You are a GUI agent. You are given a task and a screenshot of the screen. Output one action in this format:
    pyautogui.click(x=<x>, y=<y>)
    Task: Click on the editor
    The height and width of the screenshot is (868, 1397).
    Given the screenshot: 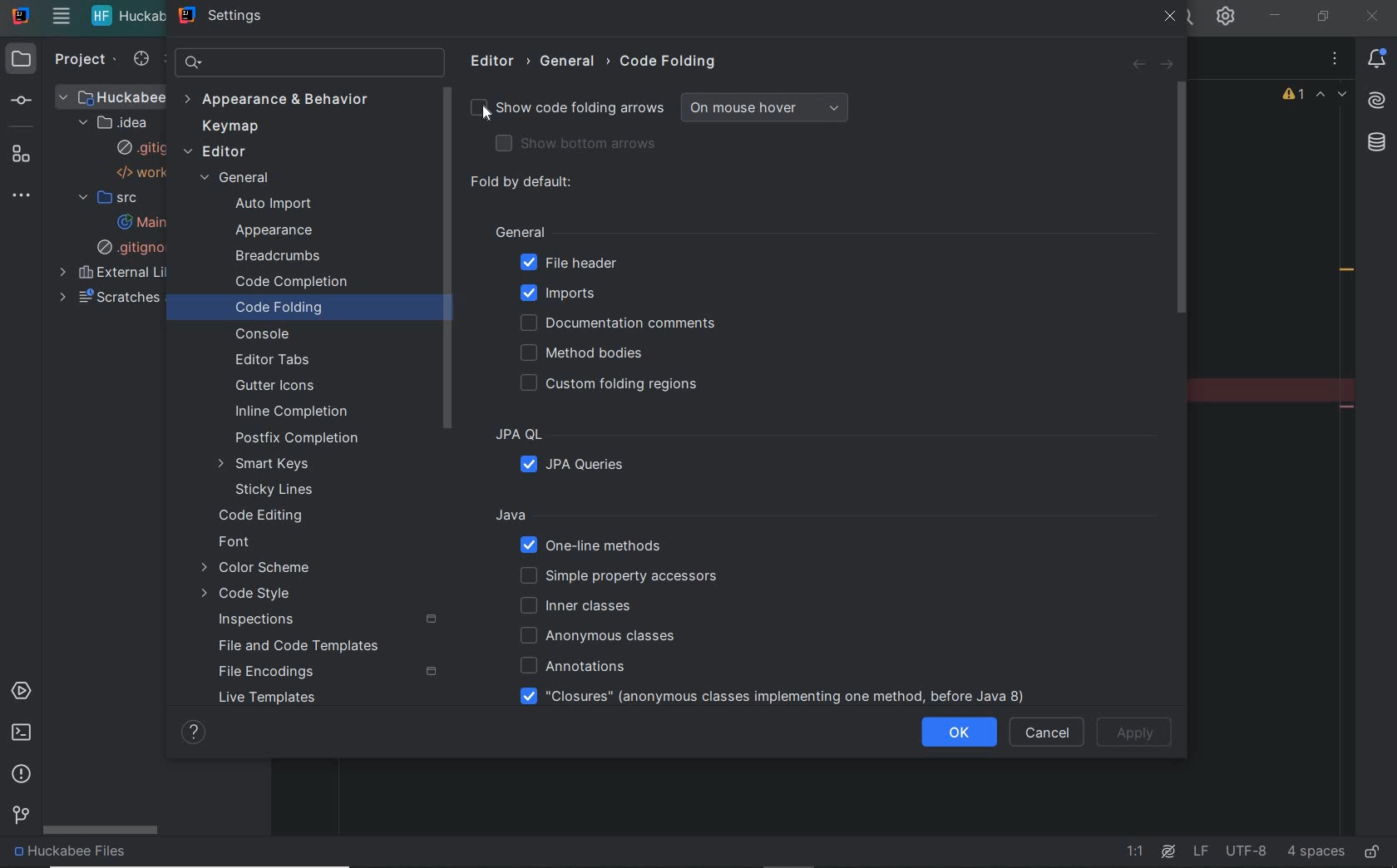 What is the action you would take?
    pyautogui.click(x=500, y=62)
    